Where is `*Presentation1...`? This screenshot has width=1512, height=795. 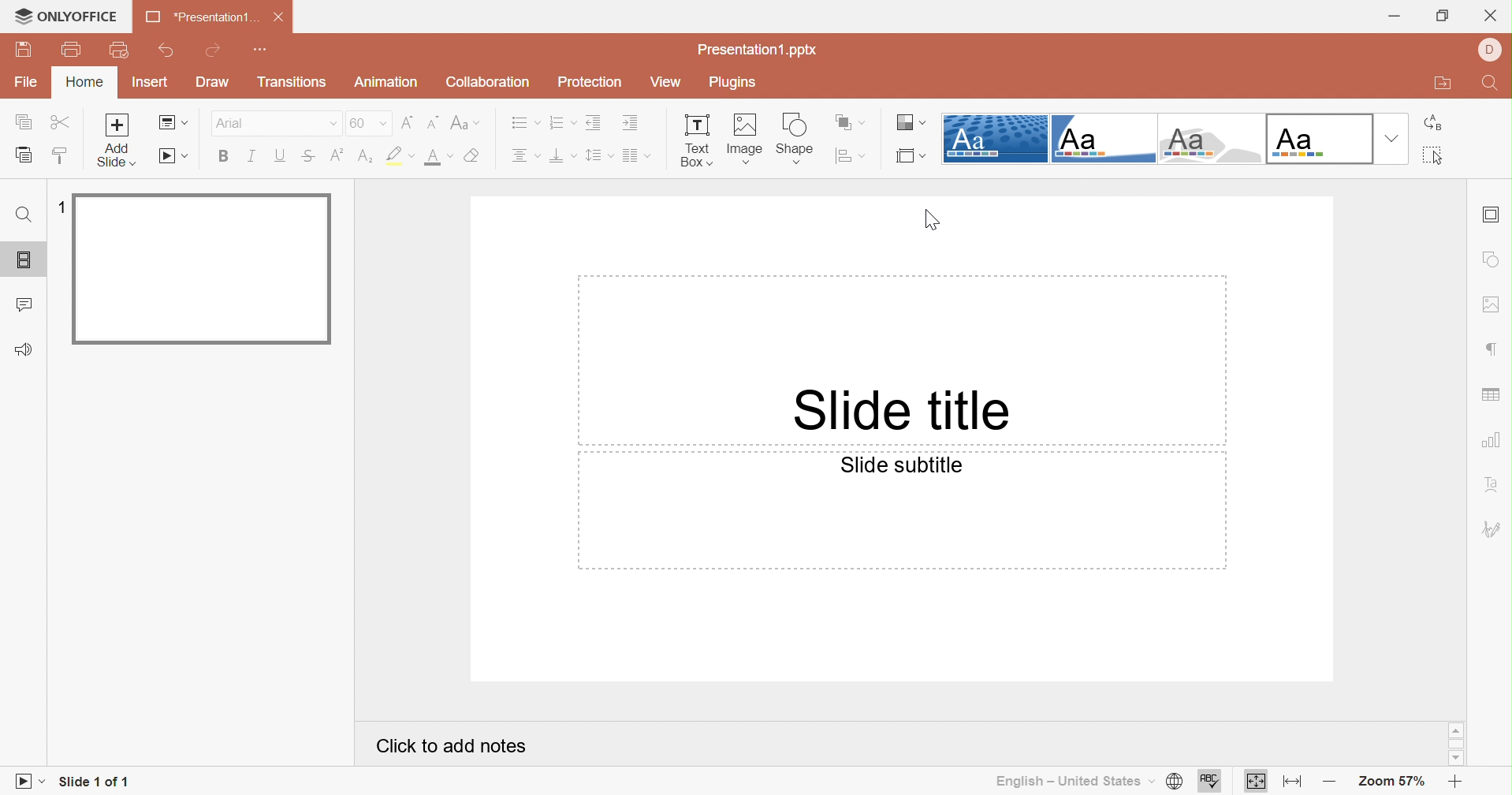 *Presentation1... is located at coordinates (200, 16).